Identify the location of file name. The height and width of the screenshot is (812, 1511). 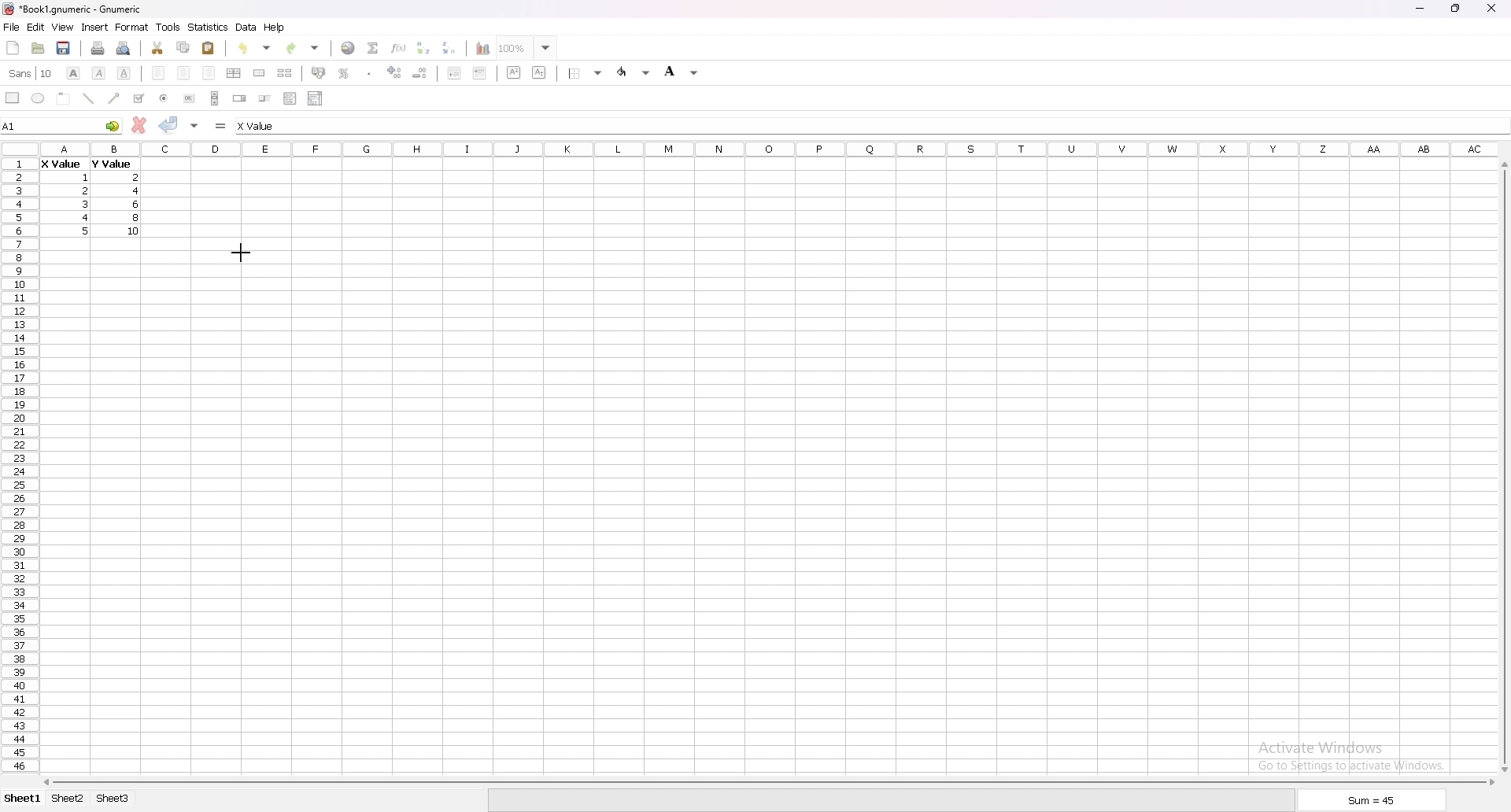
(72, 9).